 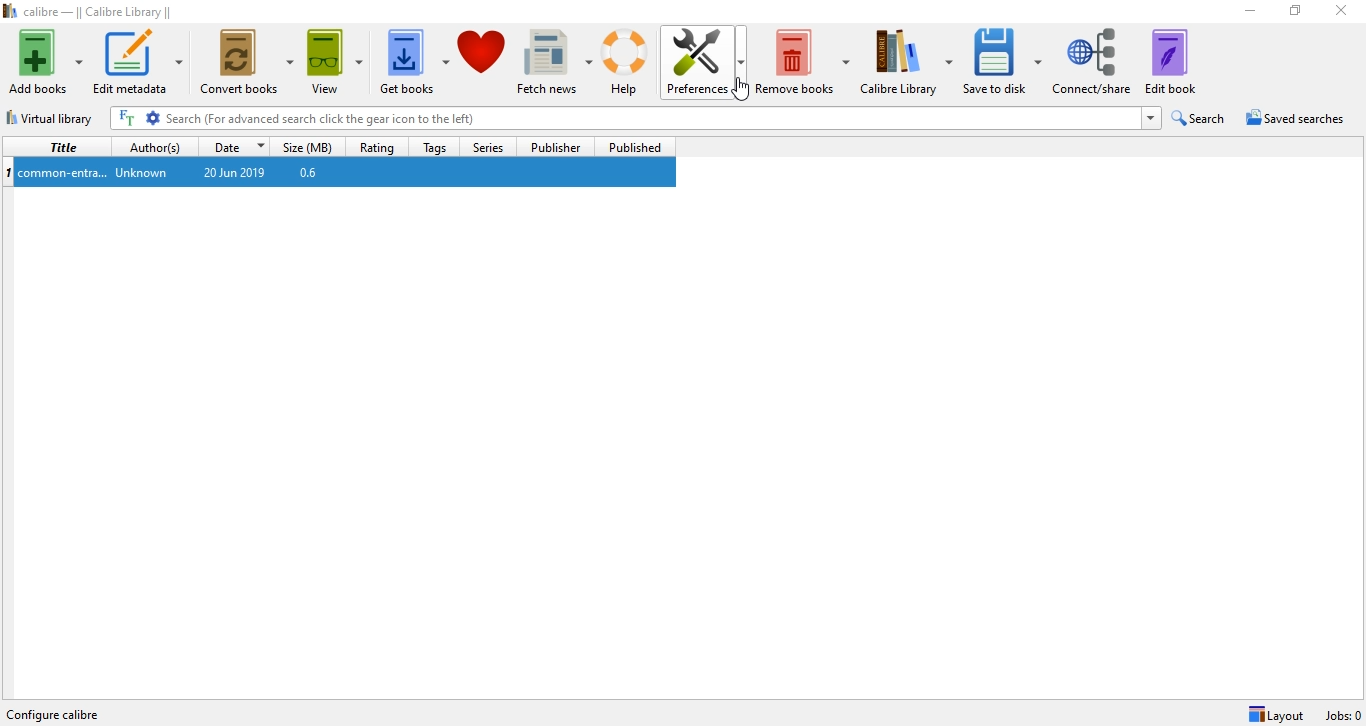 What do you see at coordinates (1295, 14) in the screenshot?
I see `Restore` at bounding box center [1295, 14].